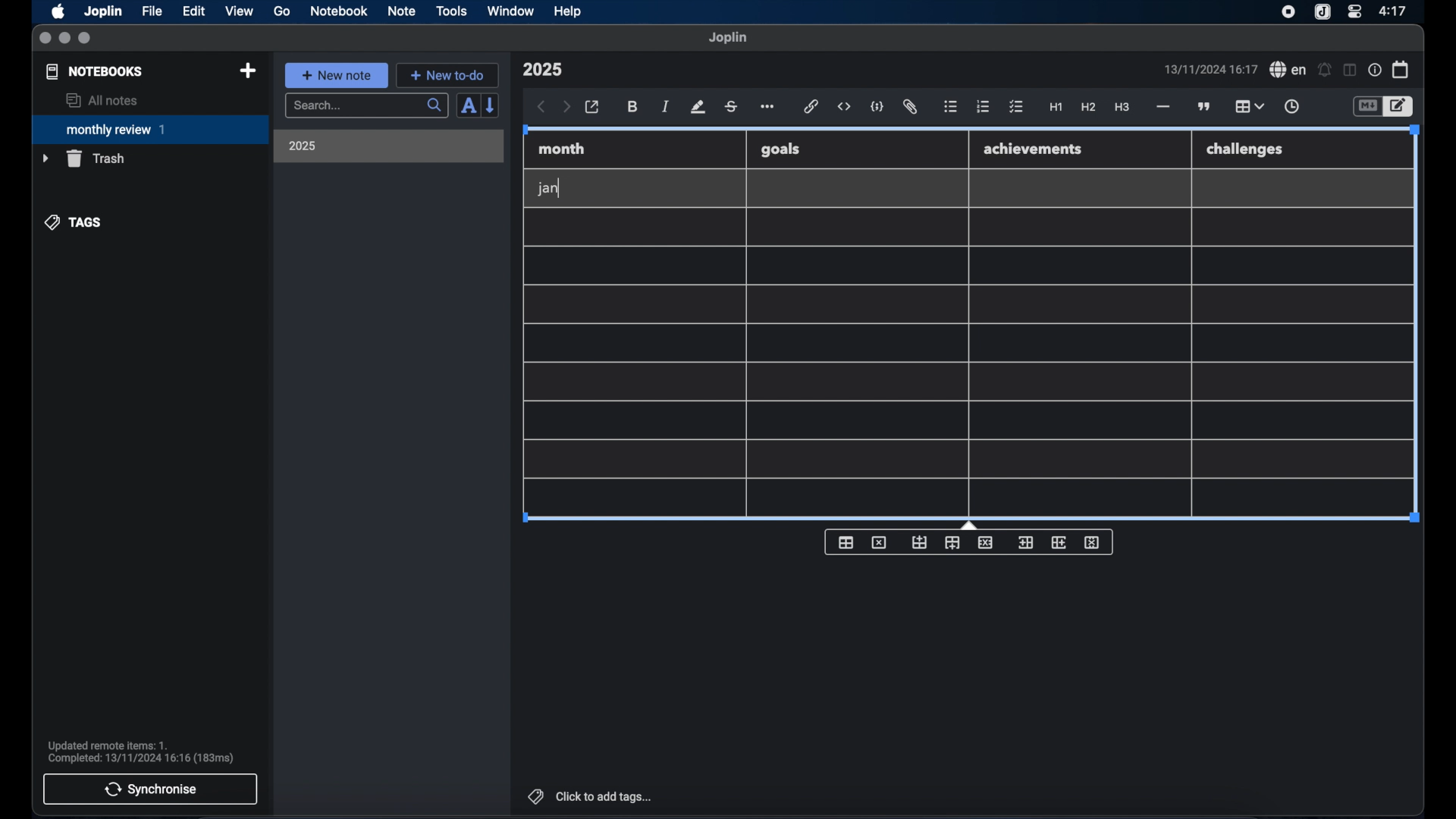 The height and width of the screenshot is (819, 1456). I want to click on horizontal rule, so click(1162, 107).